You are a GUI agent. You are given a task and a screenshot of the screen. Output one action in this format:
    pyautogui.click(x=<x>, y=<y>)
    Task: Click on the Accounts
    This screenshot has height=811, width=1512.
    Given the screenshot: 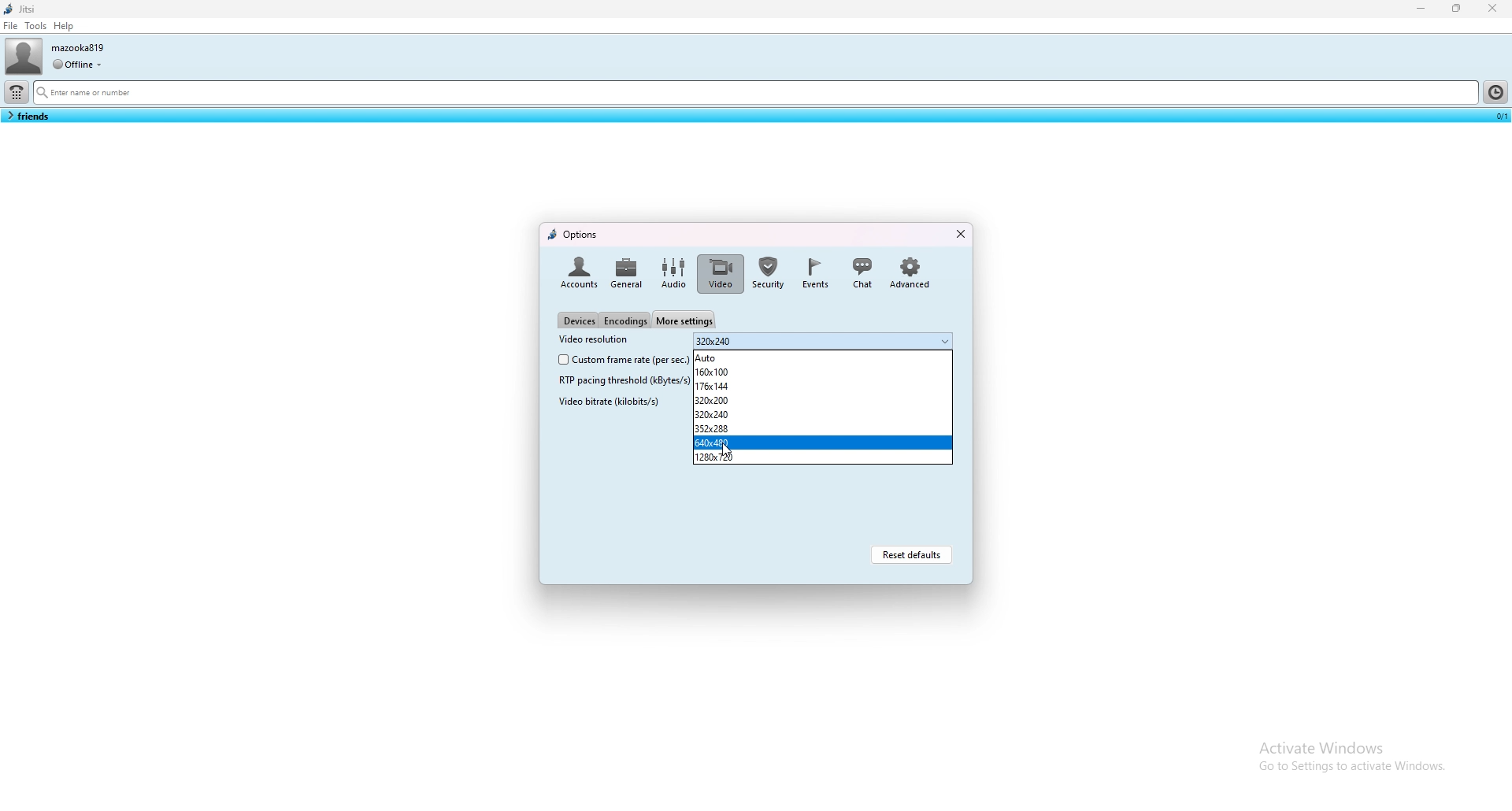 What is the action you would take?
    pyautogui.click(x=576, y=271)
    